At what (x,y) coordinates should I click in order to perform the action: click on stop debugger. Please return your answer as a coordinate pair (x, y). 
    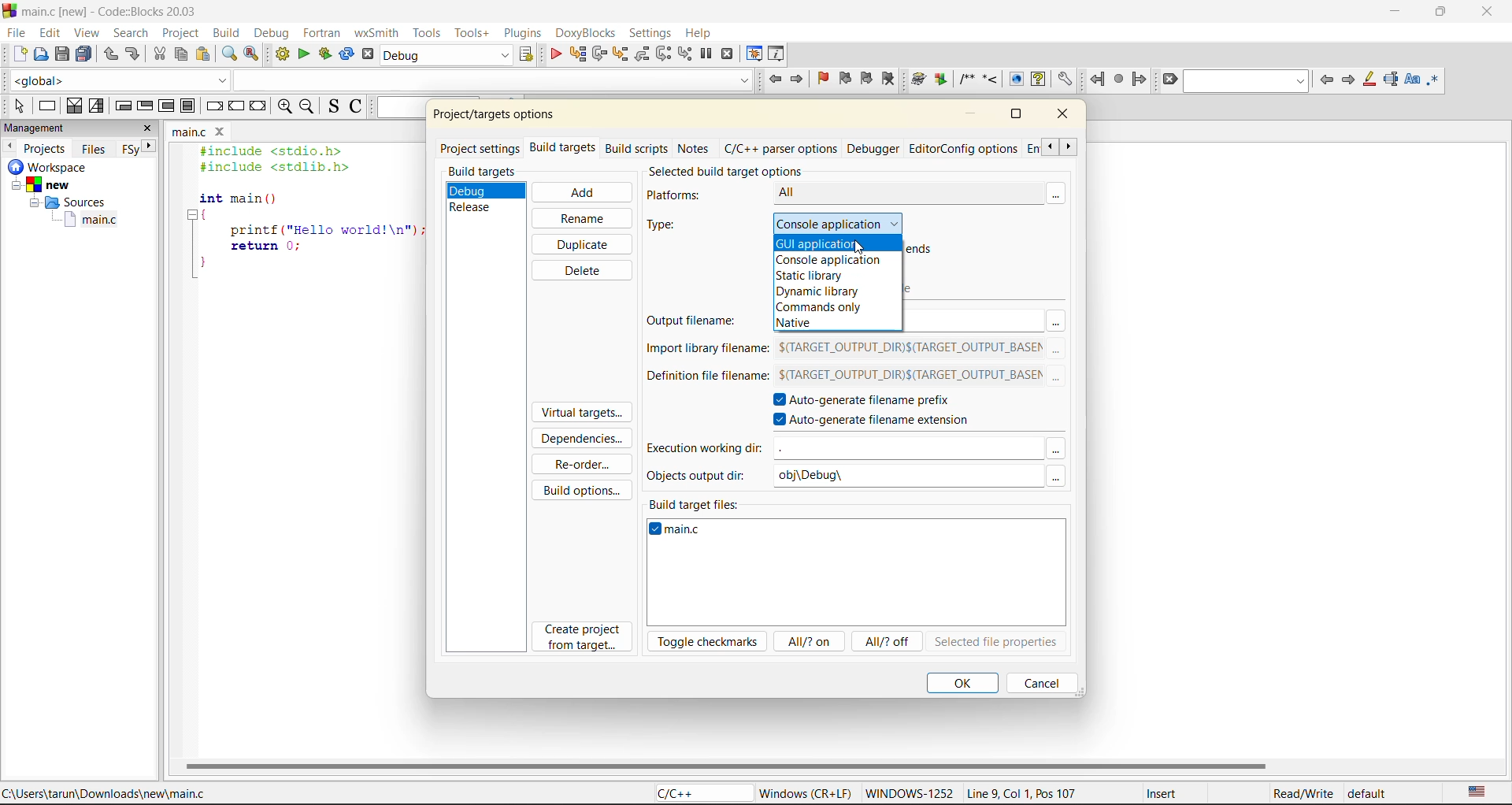
    Looking at the image, I should click on (728, 54).